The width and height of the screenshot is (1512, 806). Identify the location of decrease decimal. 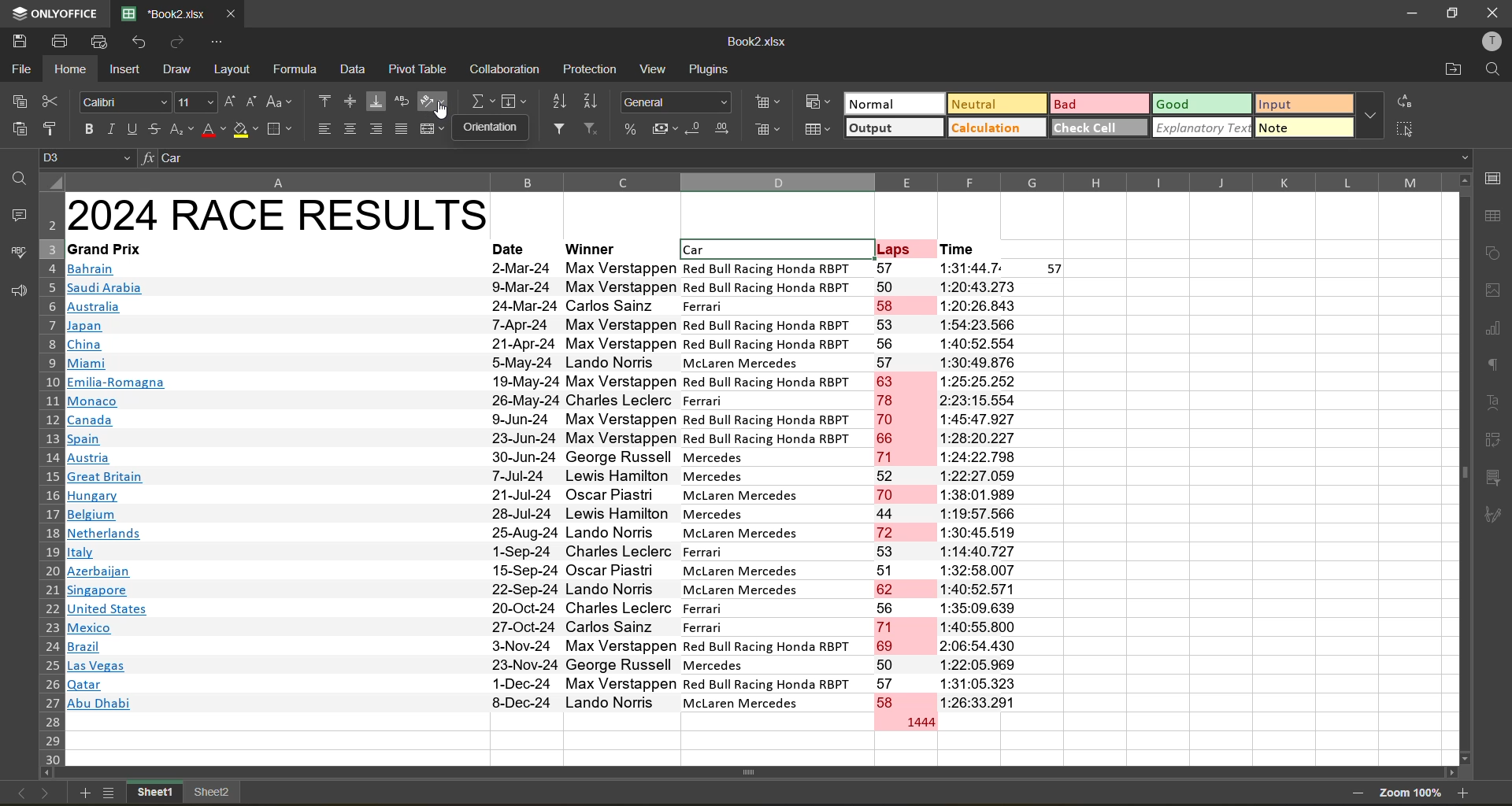
(695, 128).